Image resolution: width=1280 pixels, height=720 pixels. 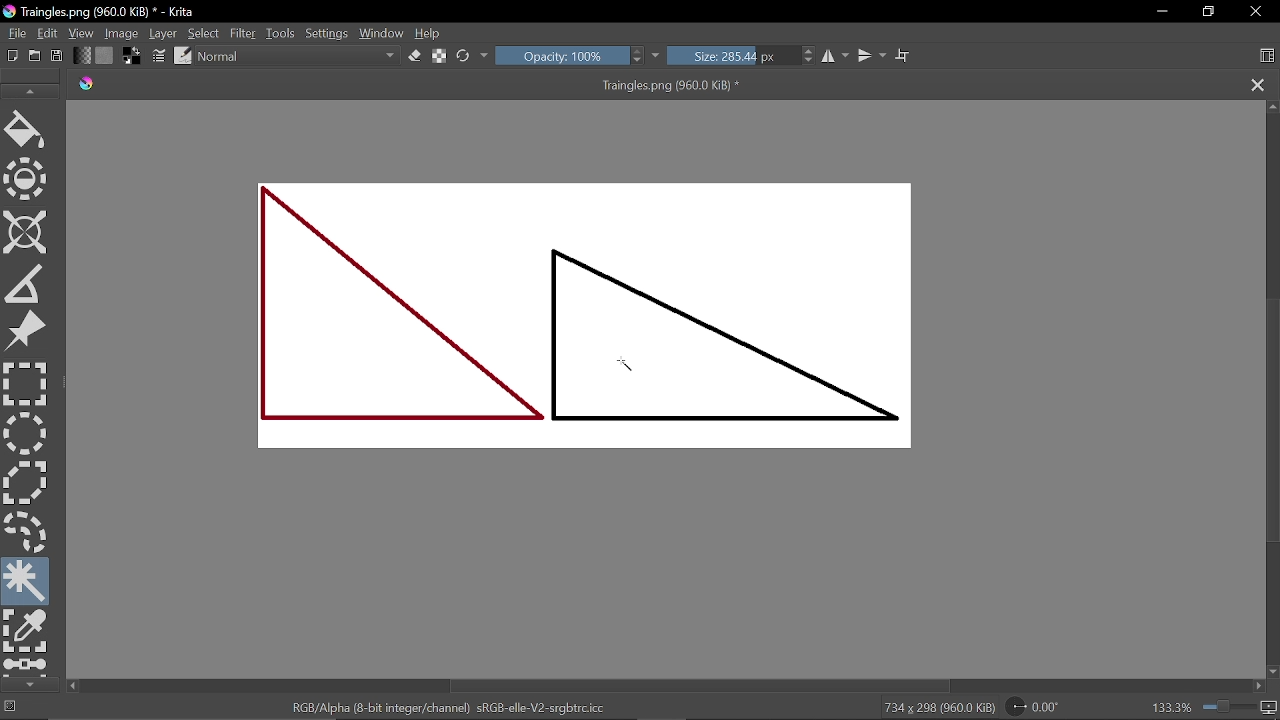 I want to click on Free select tool, so click(x=27, y=529).